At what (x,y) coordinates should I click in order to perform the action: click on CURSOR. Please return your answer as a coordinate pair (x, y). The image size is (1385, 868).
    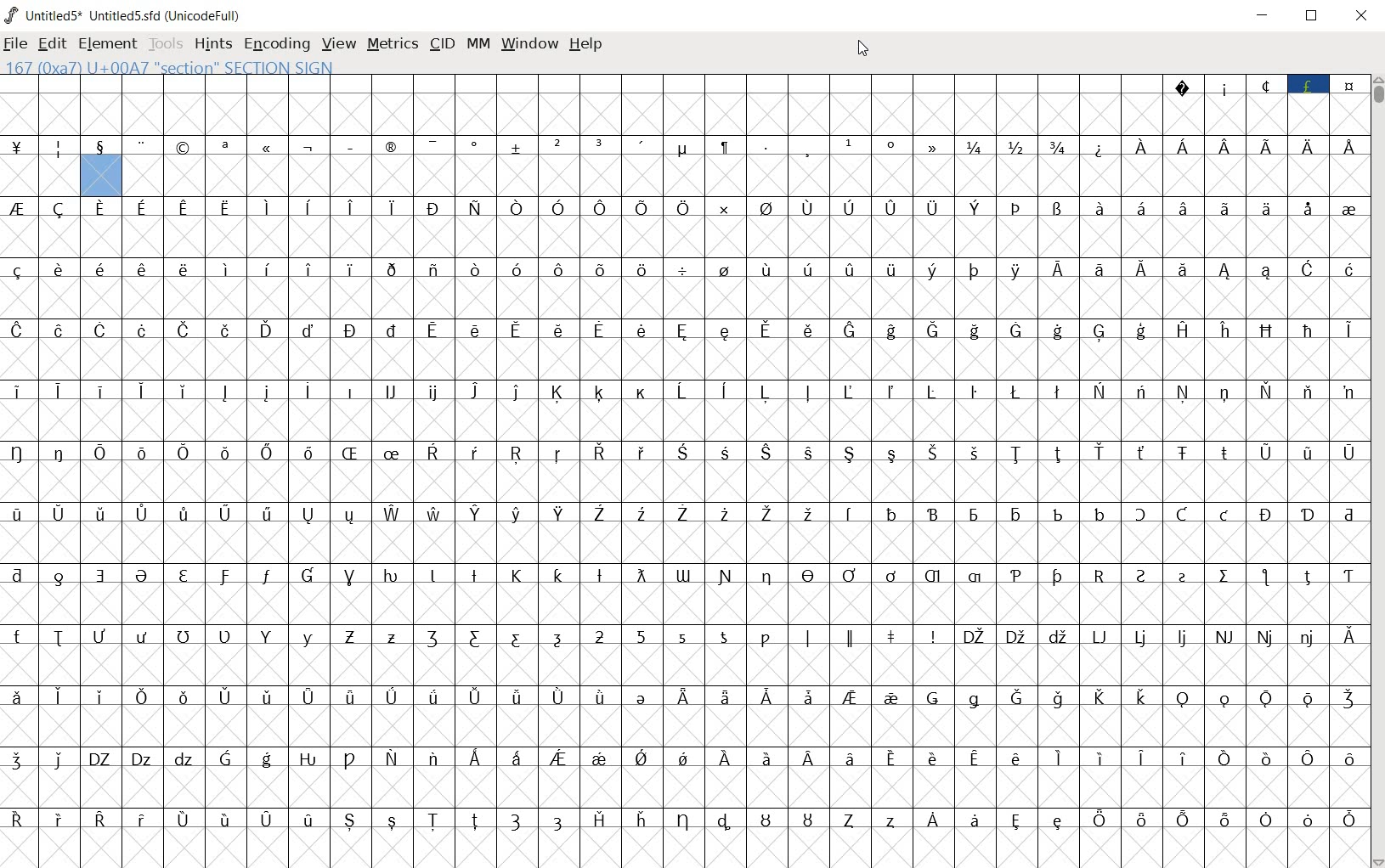
    Looking at the image, I should click on (863, 48).